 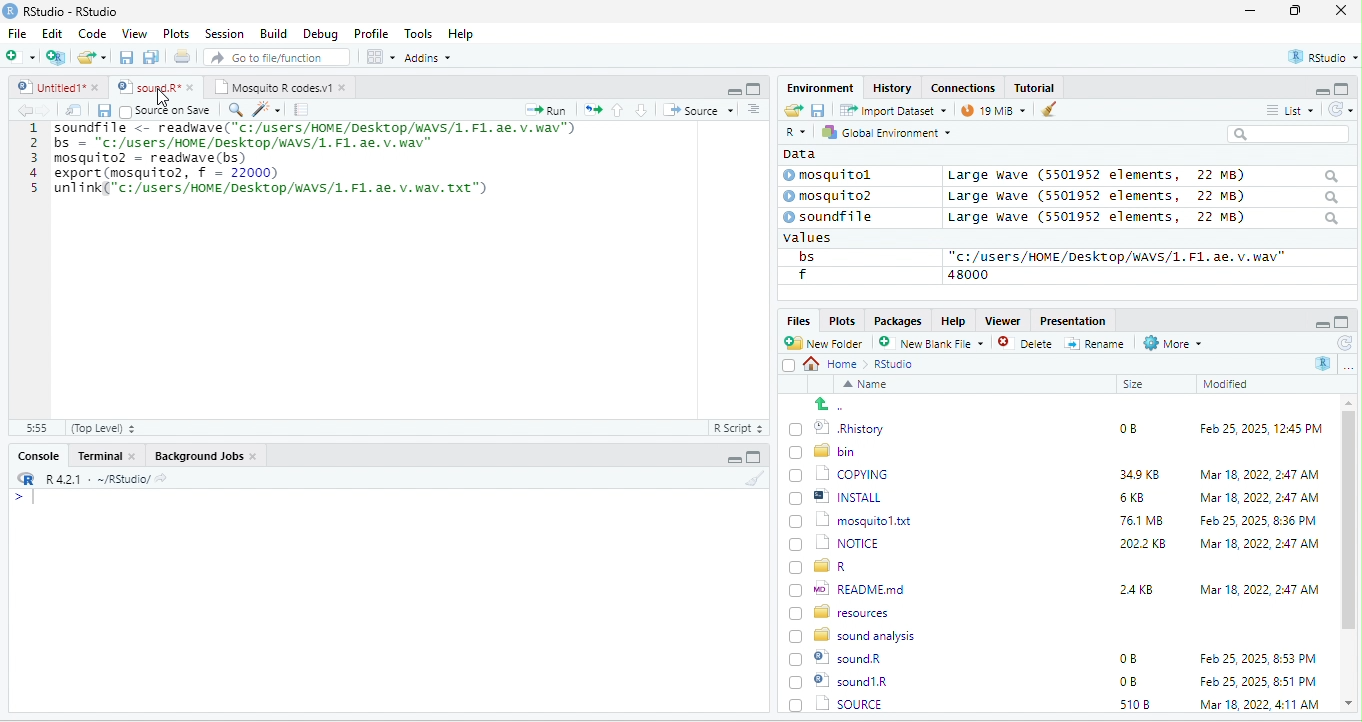 What do you see at coordinates (319, 162) in the screenshot?
I see `code` at bounding box center [319, 162].